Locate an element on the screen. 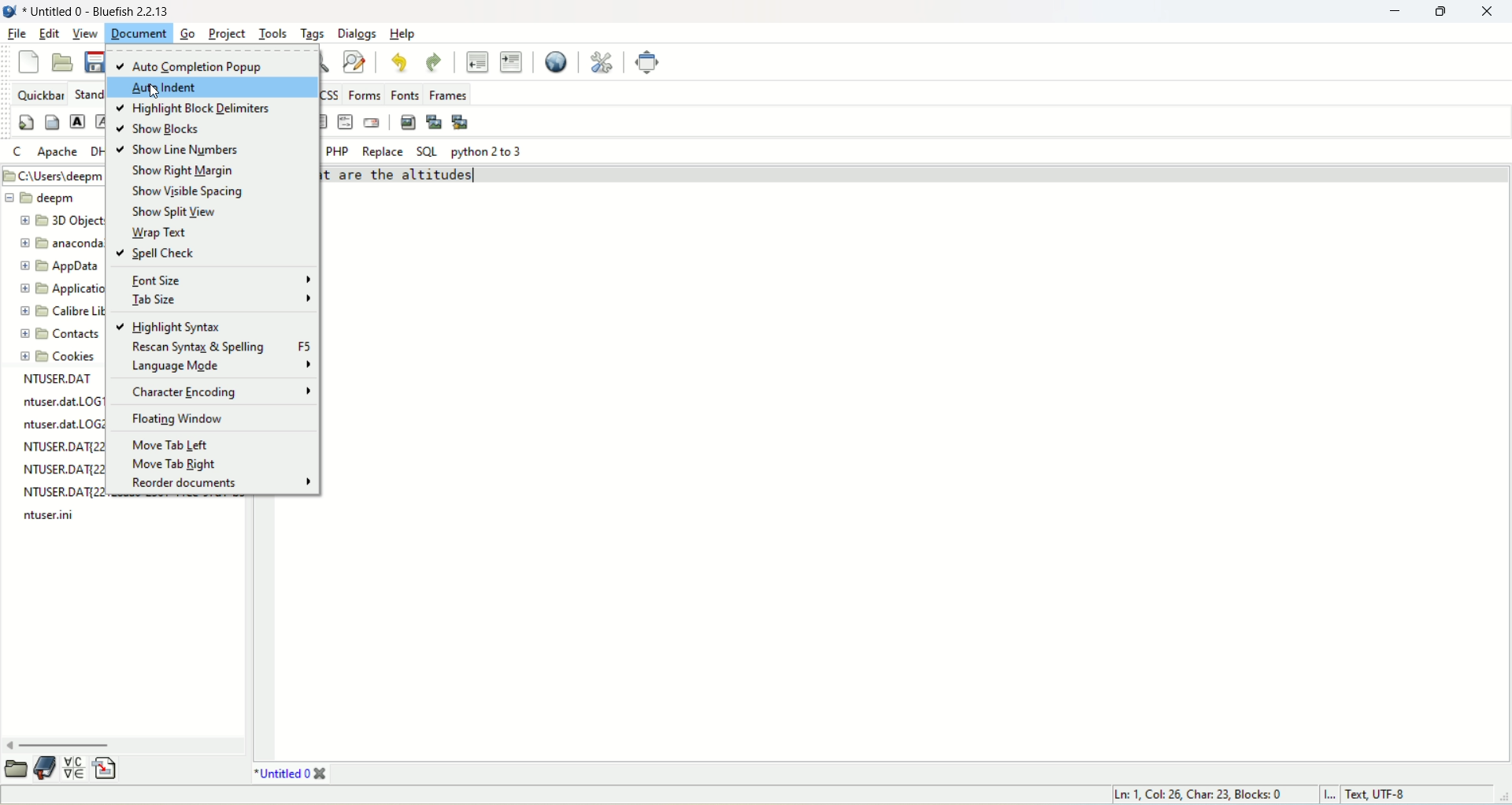 The height and width of the screenshot is (805, 1512). show line numbers is located at coordinates (187, 150).